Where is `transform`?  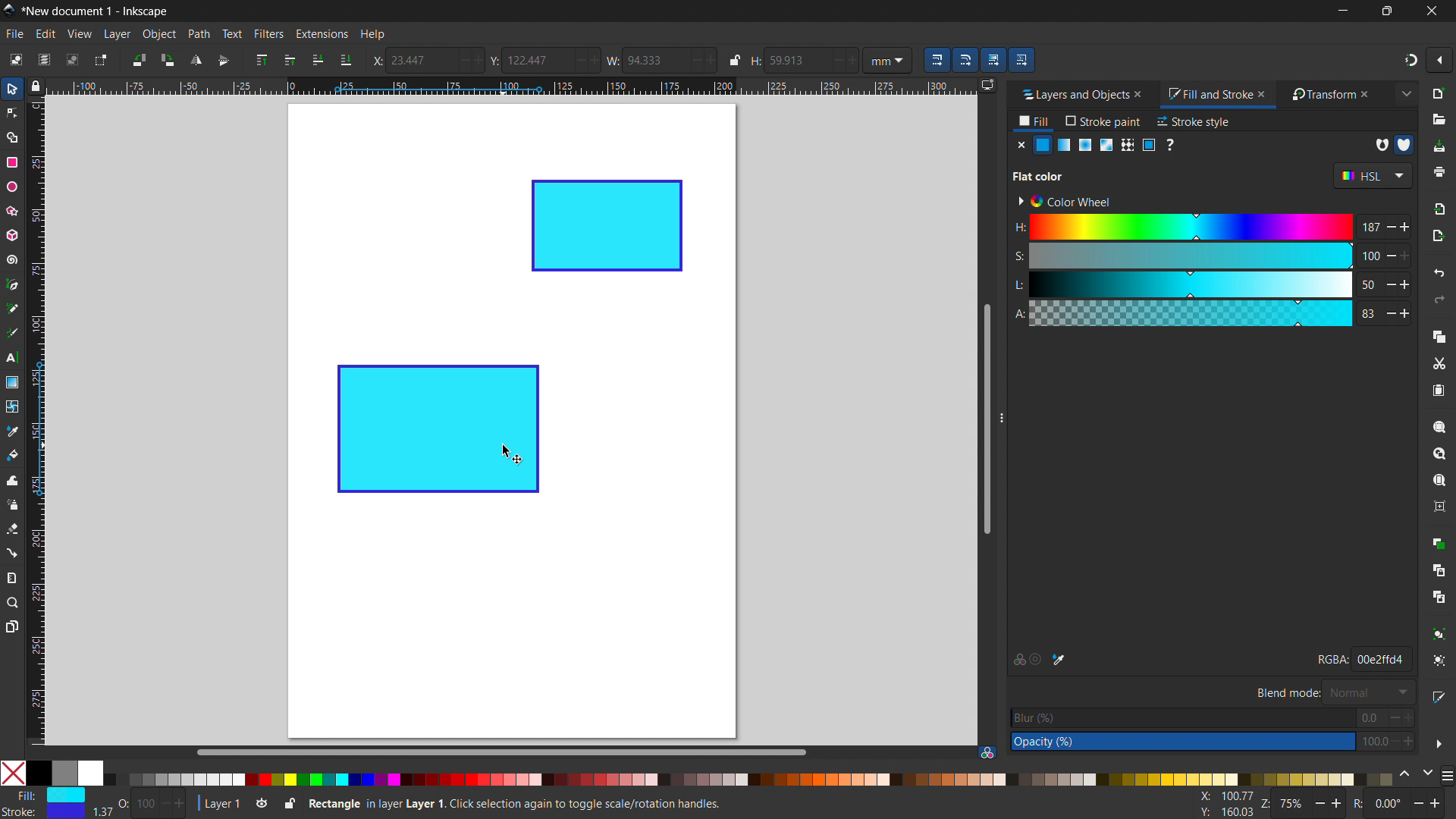
transform is located at coordinates (1319, 95).